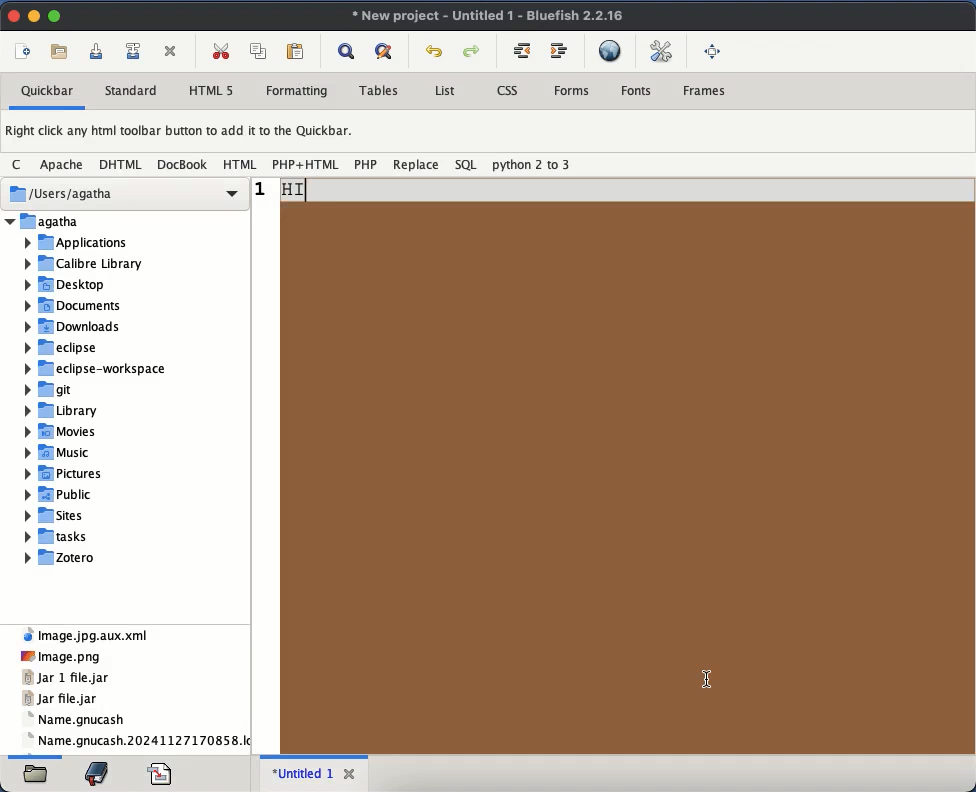 The width and height of the screenshot is (976, 792). What do you see at coordinates (367, 165) in the screenshot?
I see `php` at bounding box center [367, 165].